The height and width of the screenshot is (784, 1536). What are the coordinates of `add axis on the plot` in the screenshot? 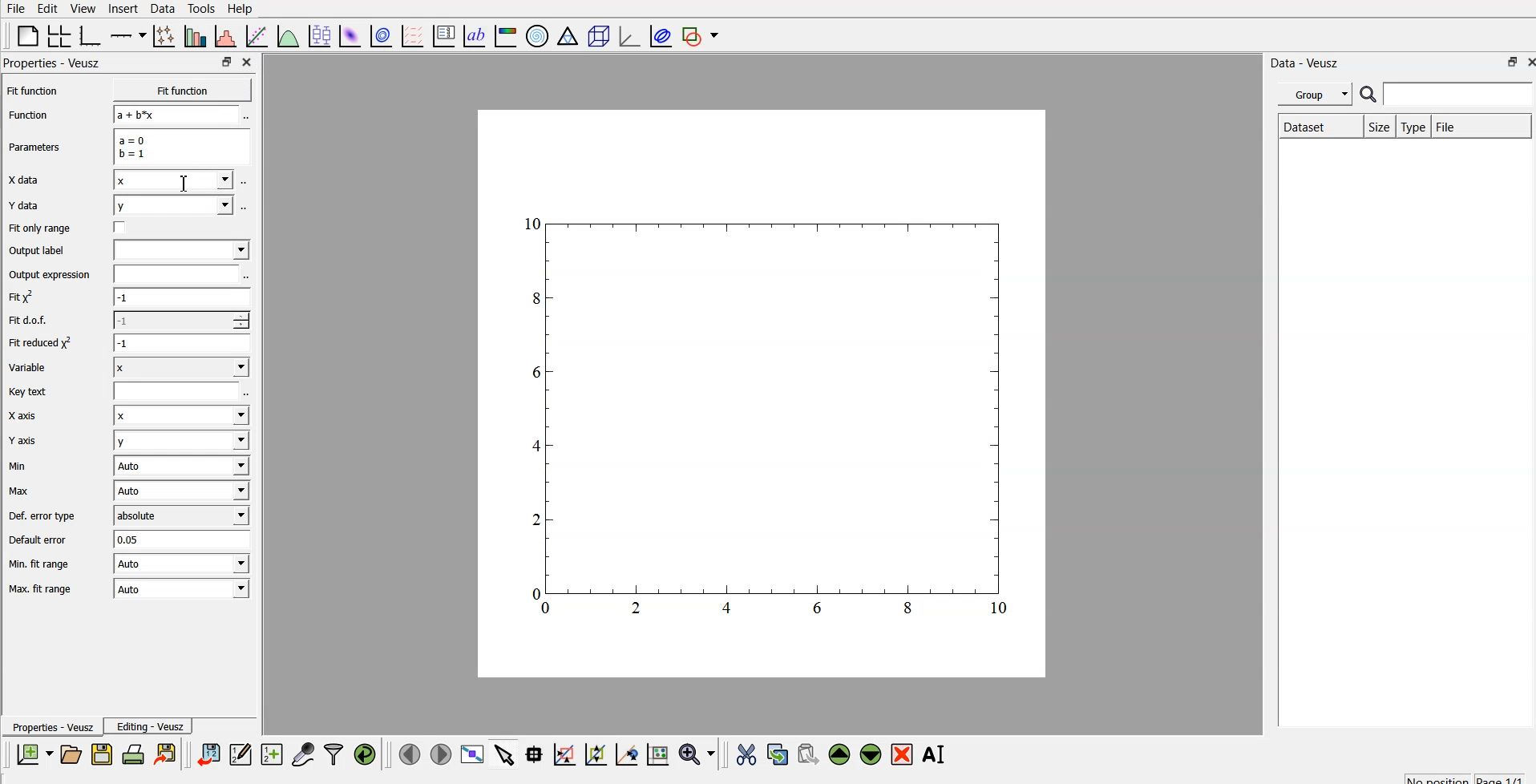 It's located at (128, 36).